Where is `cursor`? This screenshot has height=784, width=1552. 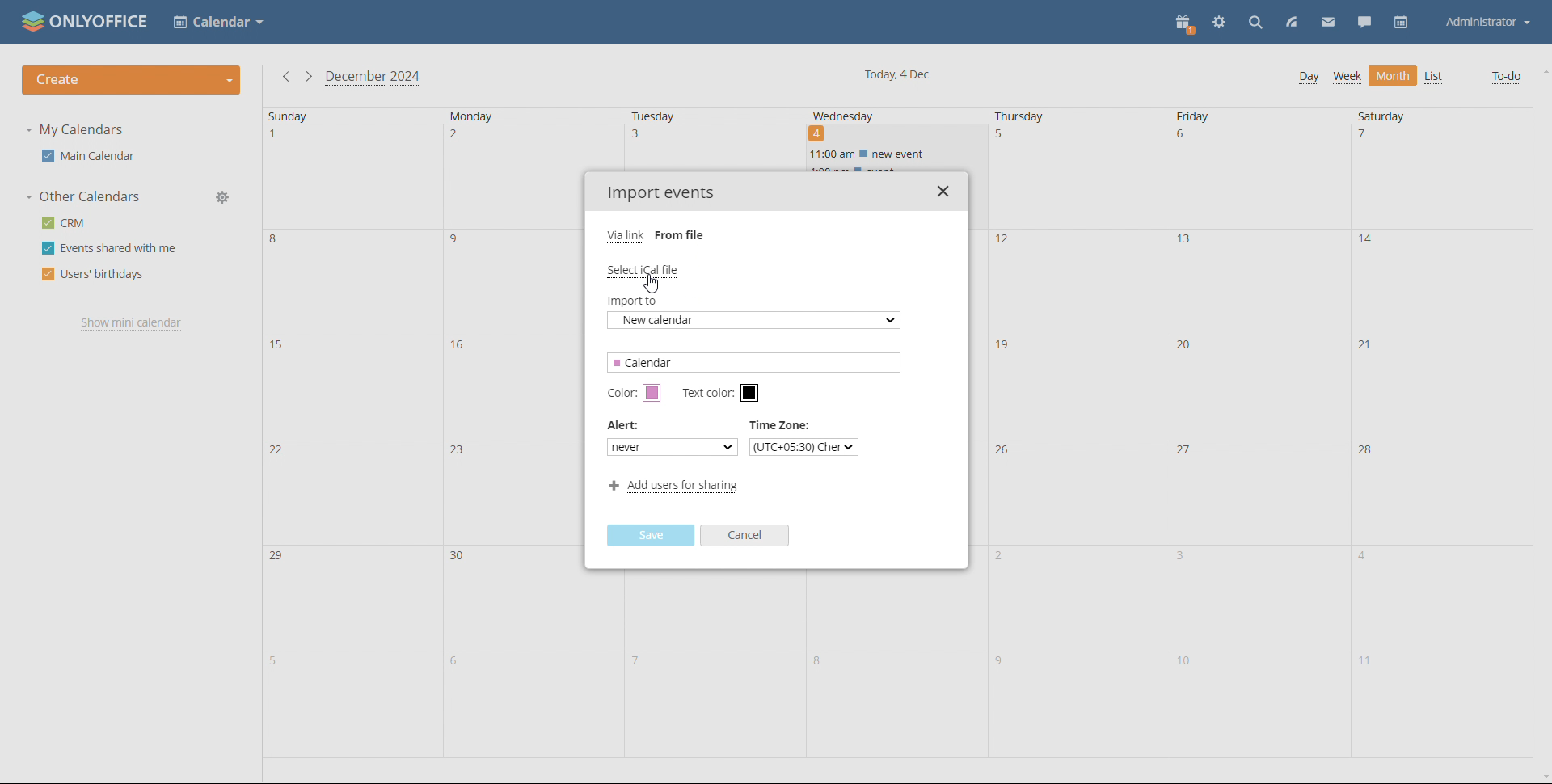 cursor is located at coordinates (658, 283).